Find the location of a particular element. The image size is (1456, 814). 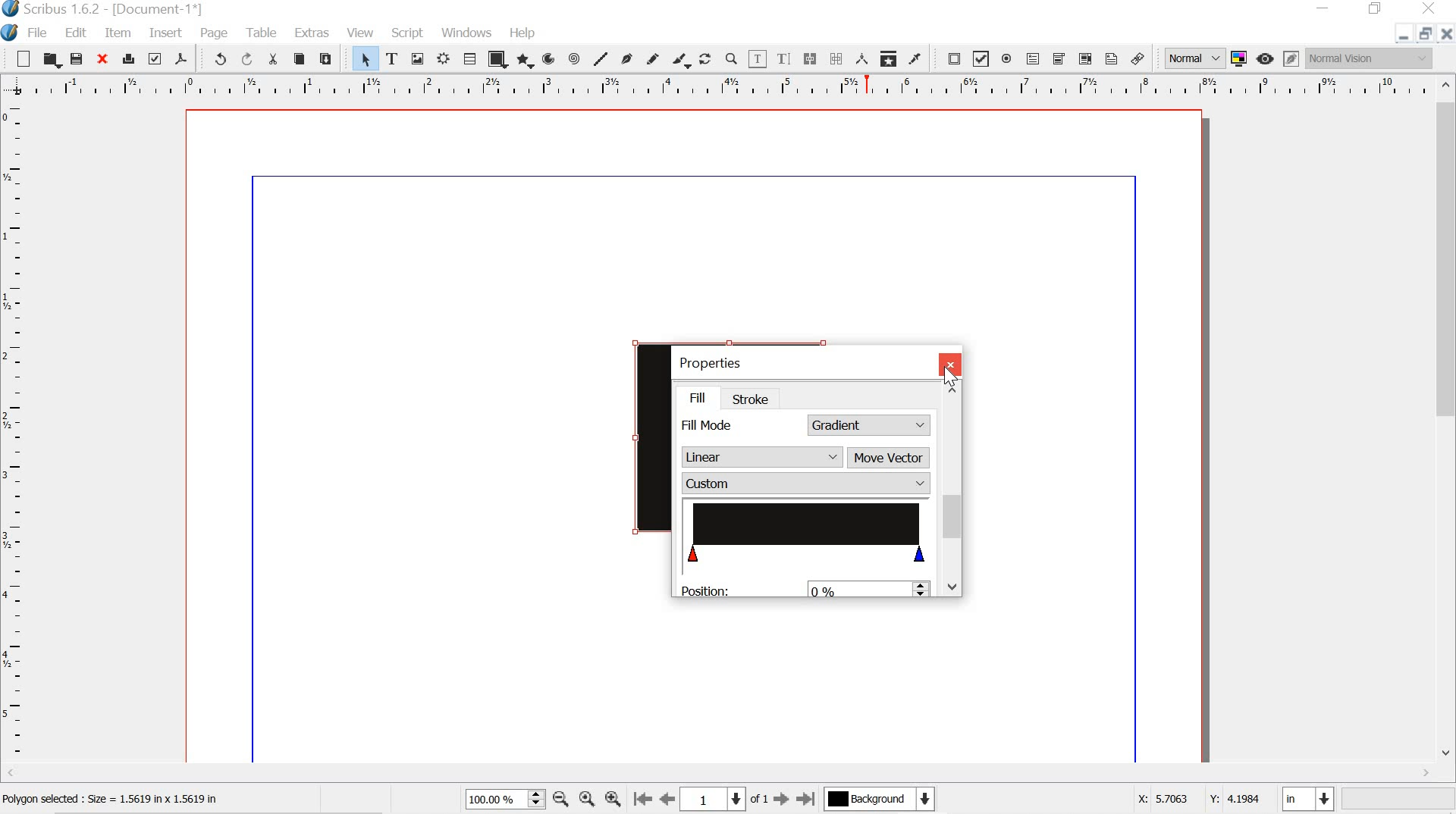

edit in preview mode is located at coordinates (1289, 58).